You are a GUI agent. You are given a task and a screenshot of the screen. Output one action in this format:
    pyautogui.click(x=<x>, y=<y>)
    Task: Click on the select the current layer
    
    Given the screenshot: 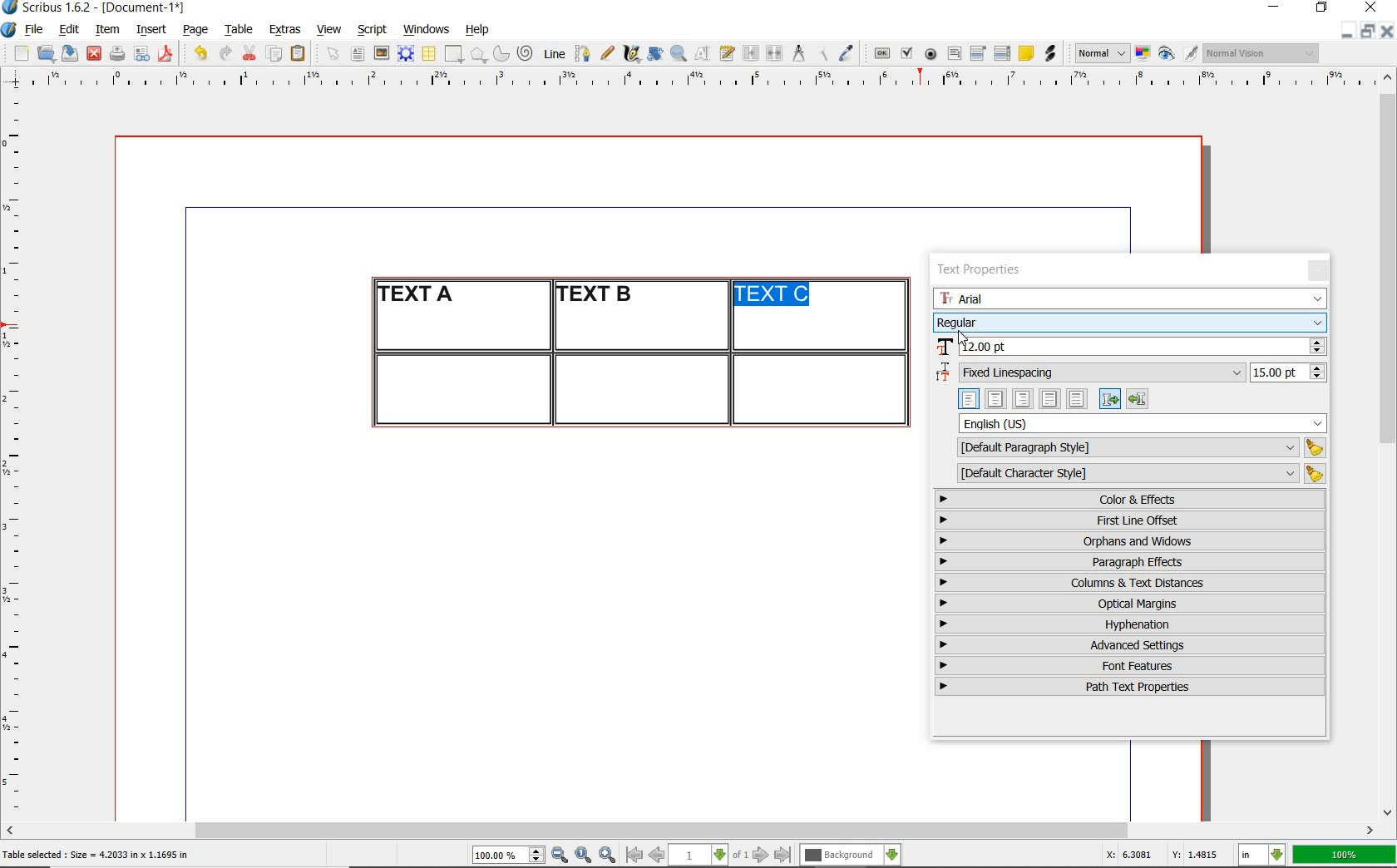 What is the action you would take?
    pyautogui.click(x=851, y=856)
    